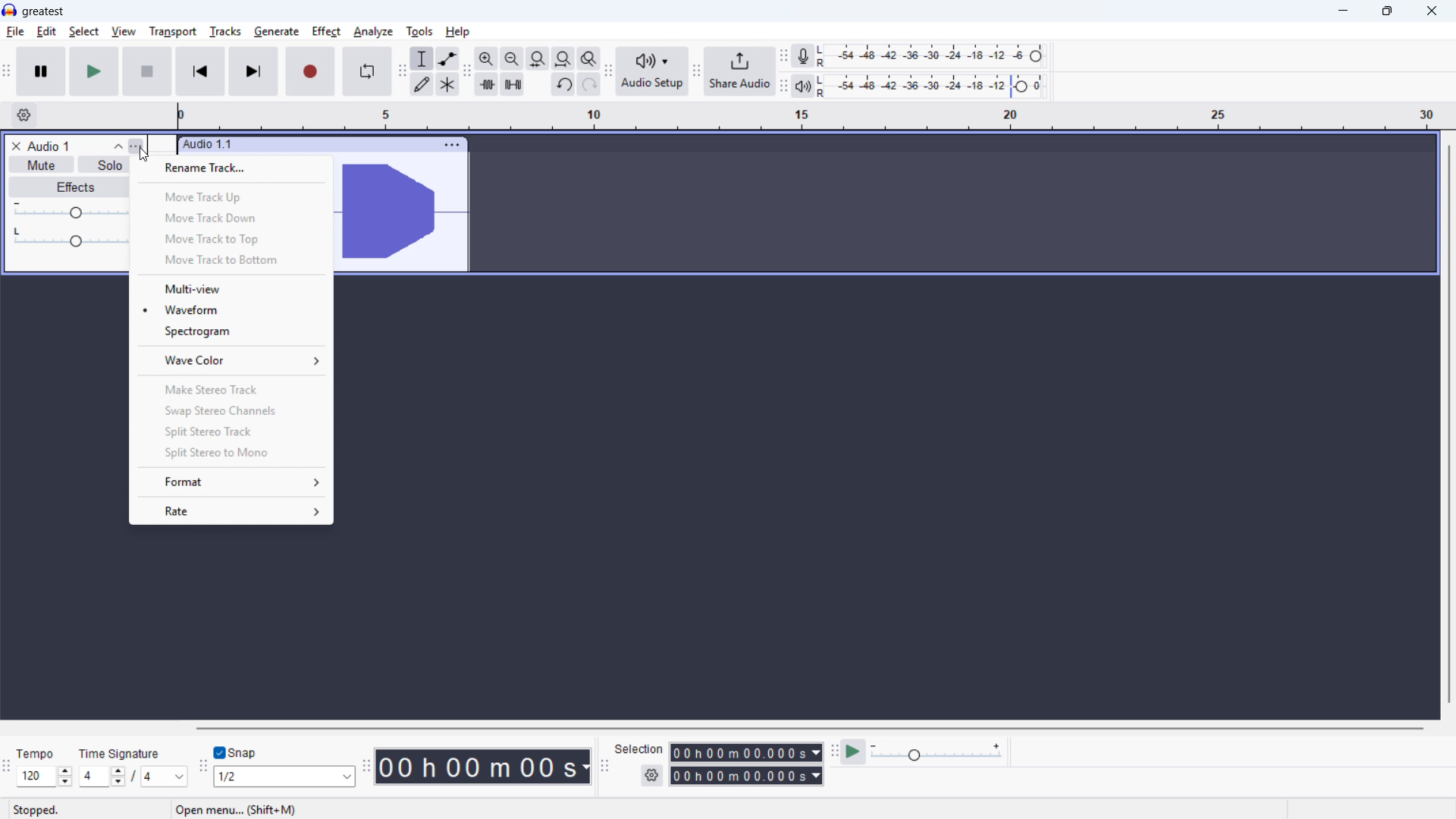 This screenshot has height=819, width=1456. What do you see at coordinates (231, 482) in the screenshot?
I see `format  ` at bounding box center [231, 482].